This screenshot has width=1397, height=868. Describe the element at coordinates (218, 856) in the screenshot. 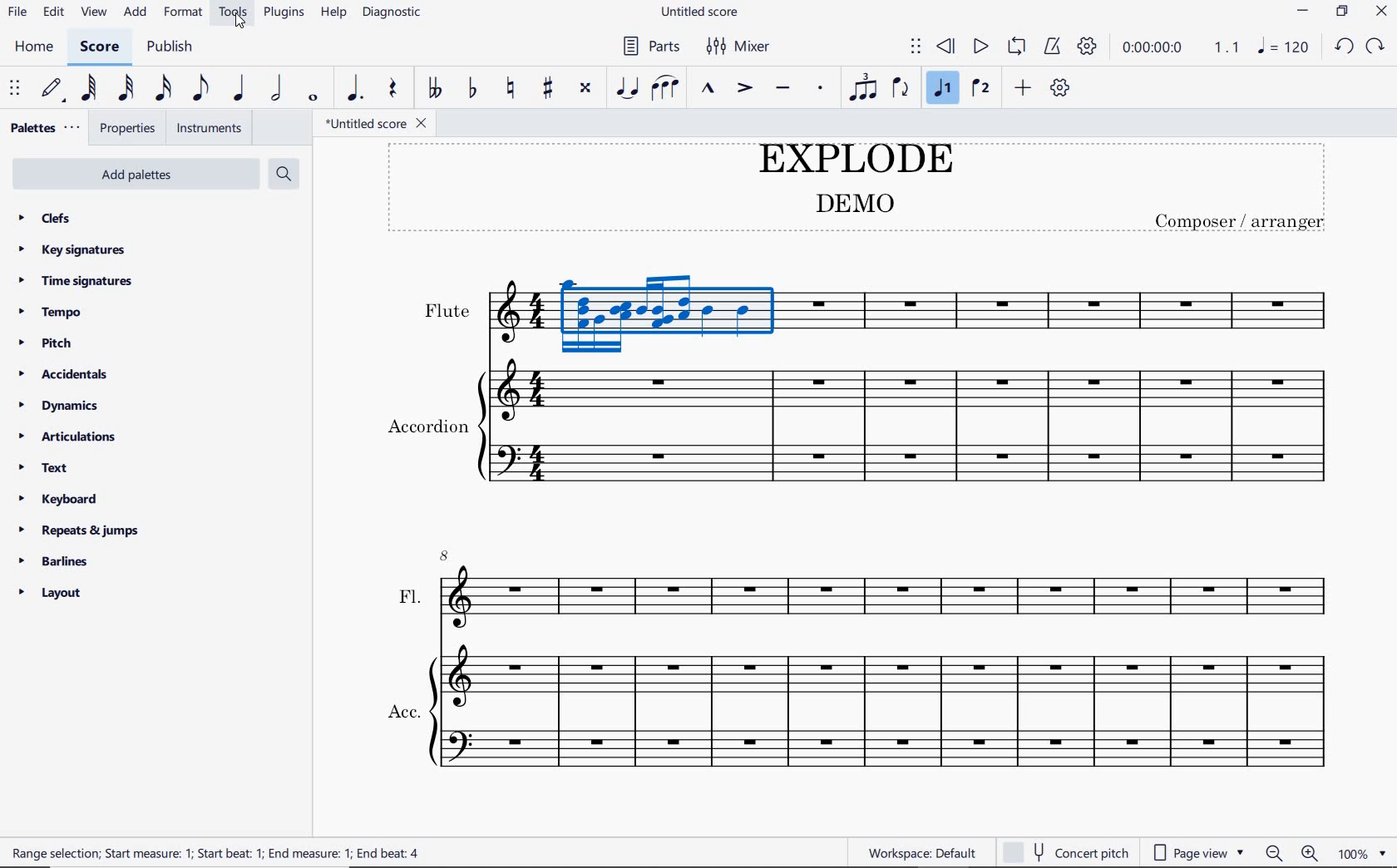

I see `Range selection` at that location.